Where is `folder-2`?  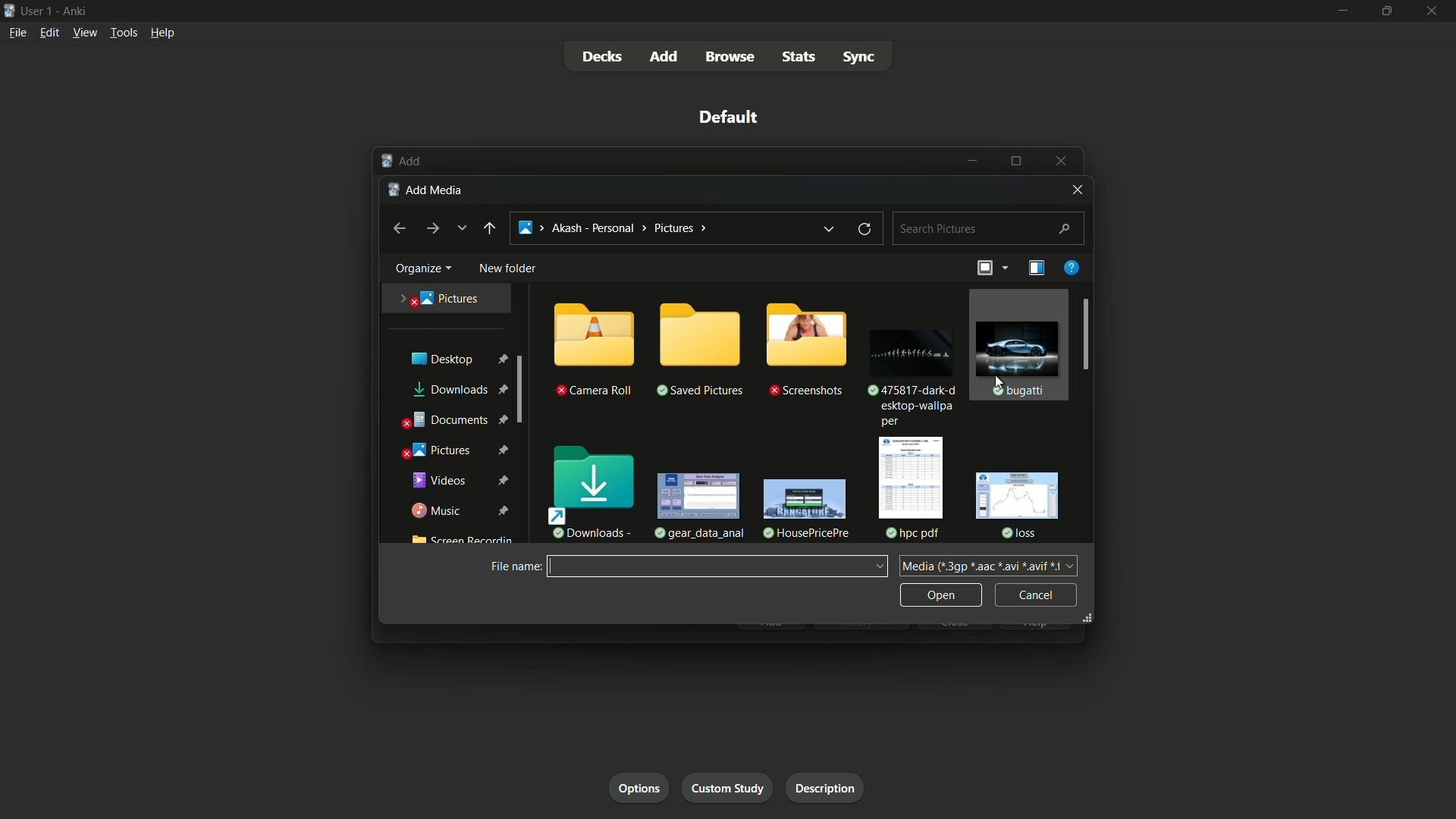 folder-2 is located at coordinates (698, 351).